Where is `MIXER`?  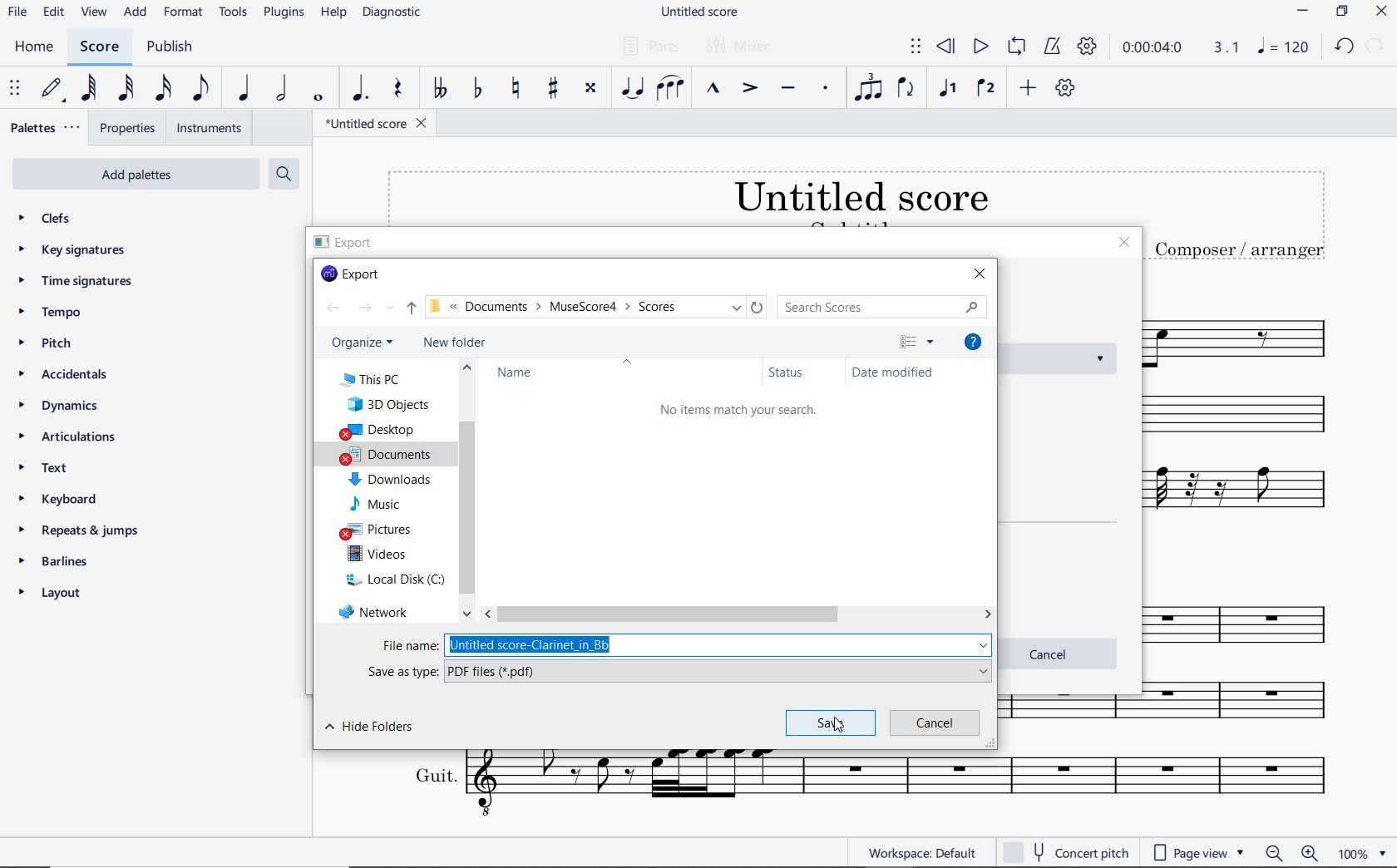 MIXER is located at coordinates (745, 47).